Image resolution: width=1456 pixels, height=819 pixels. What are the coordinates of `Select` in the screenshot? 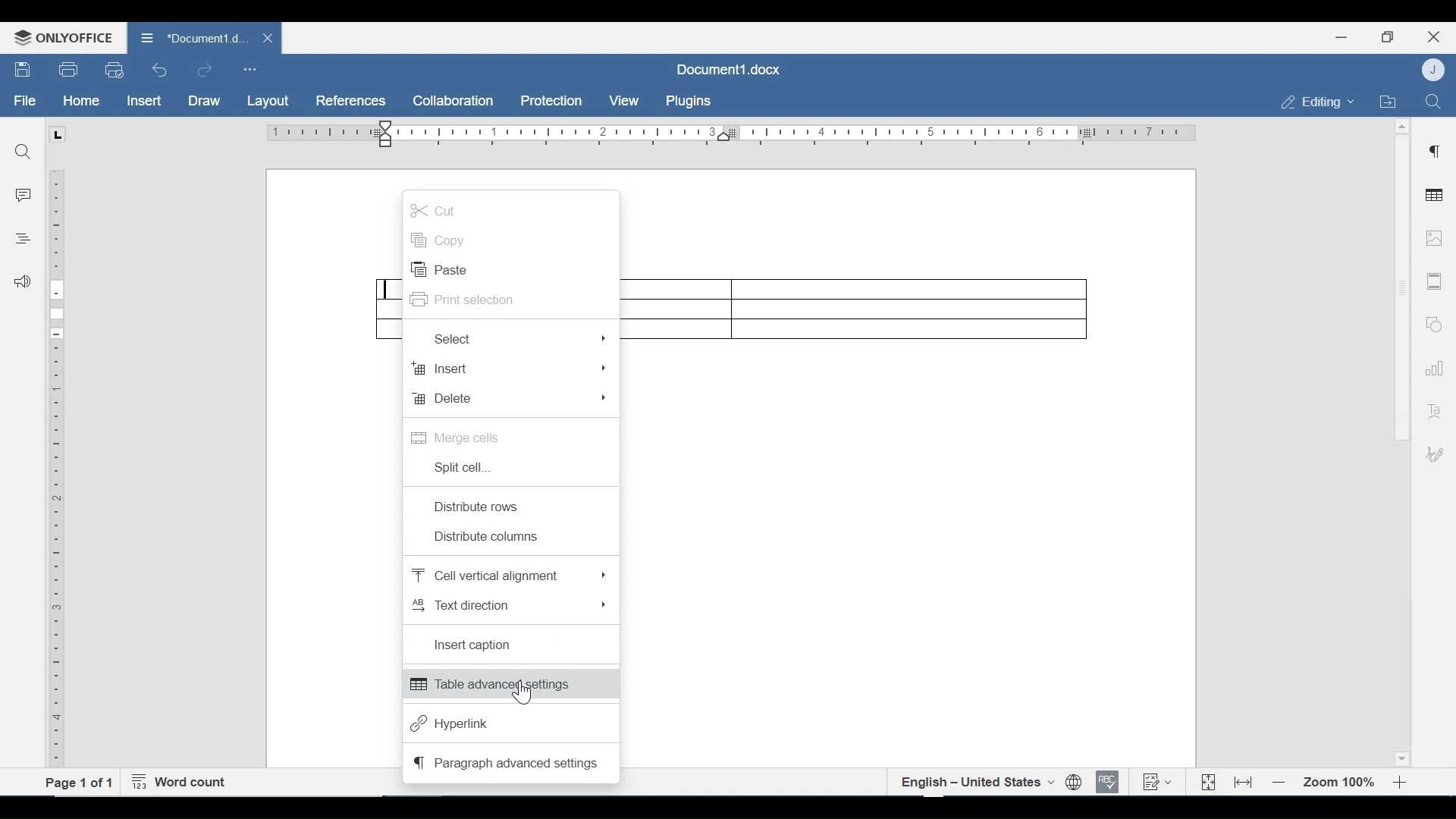 It's located at (518, 338).